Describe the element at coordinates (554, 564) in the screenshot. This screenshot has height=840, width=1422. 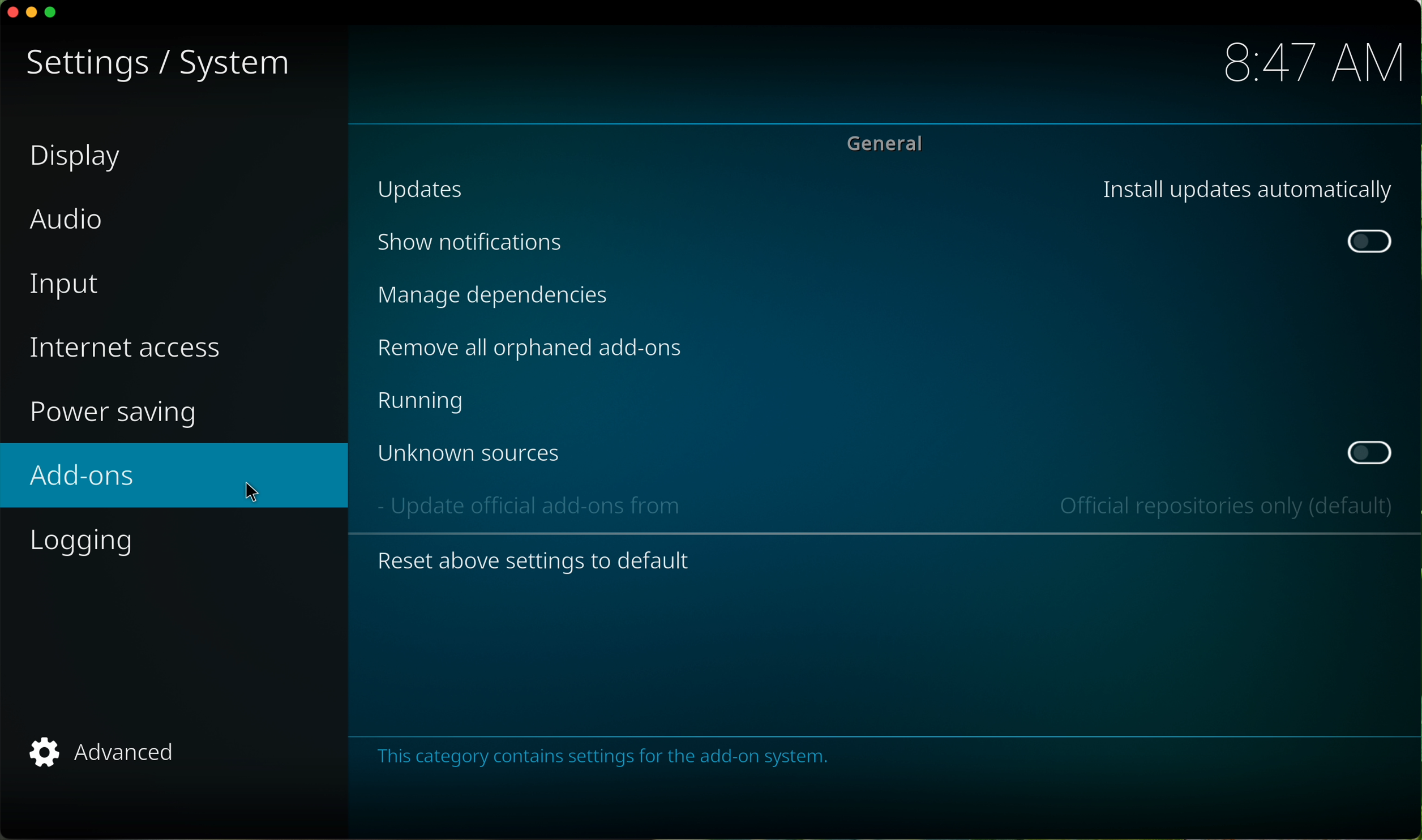
I see `Reset above settings to default` at that location.